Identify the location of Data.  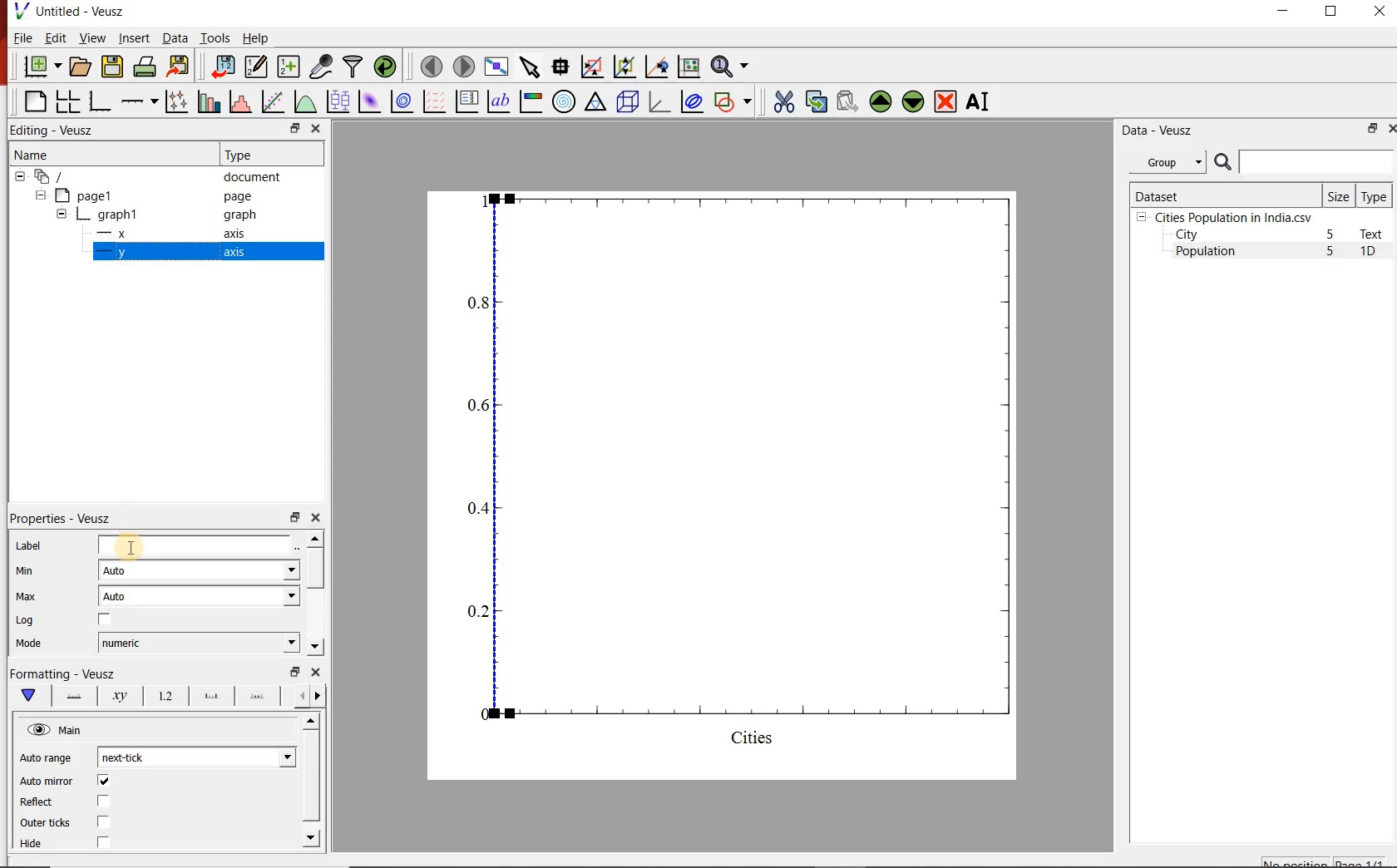
(175, 39).